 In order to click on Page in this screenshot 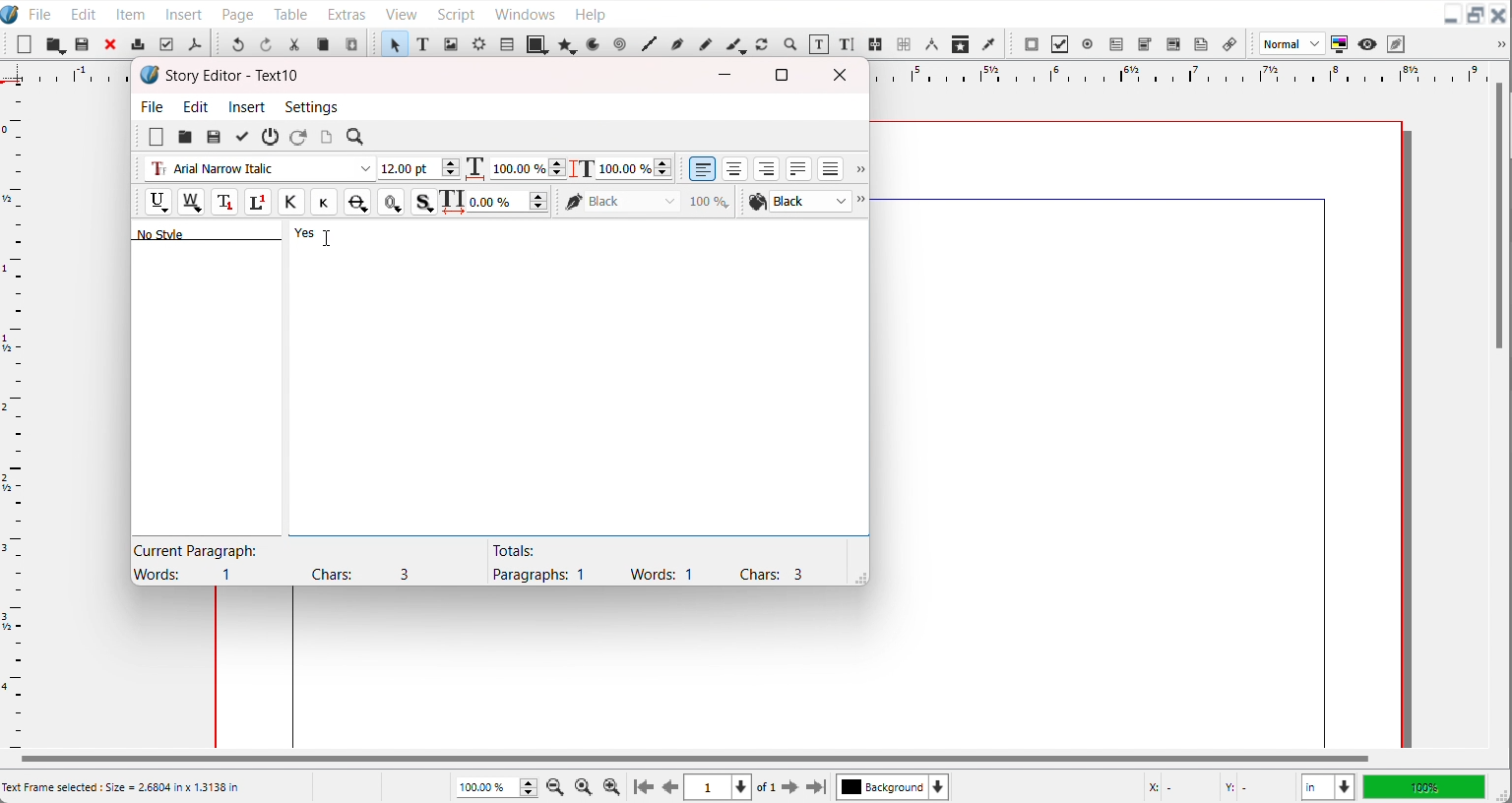, I will do `click(237, 13)`.